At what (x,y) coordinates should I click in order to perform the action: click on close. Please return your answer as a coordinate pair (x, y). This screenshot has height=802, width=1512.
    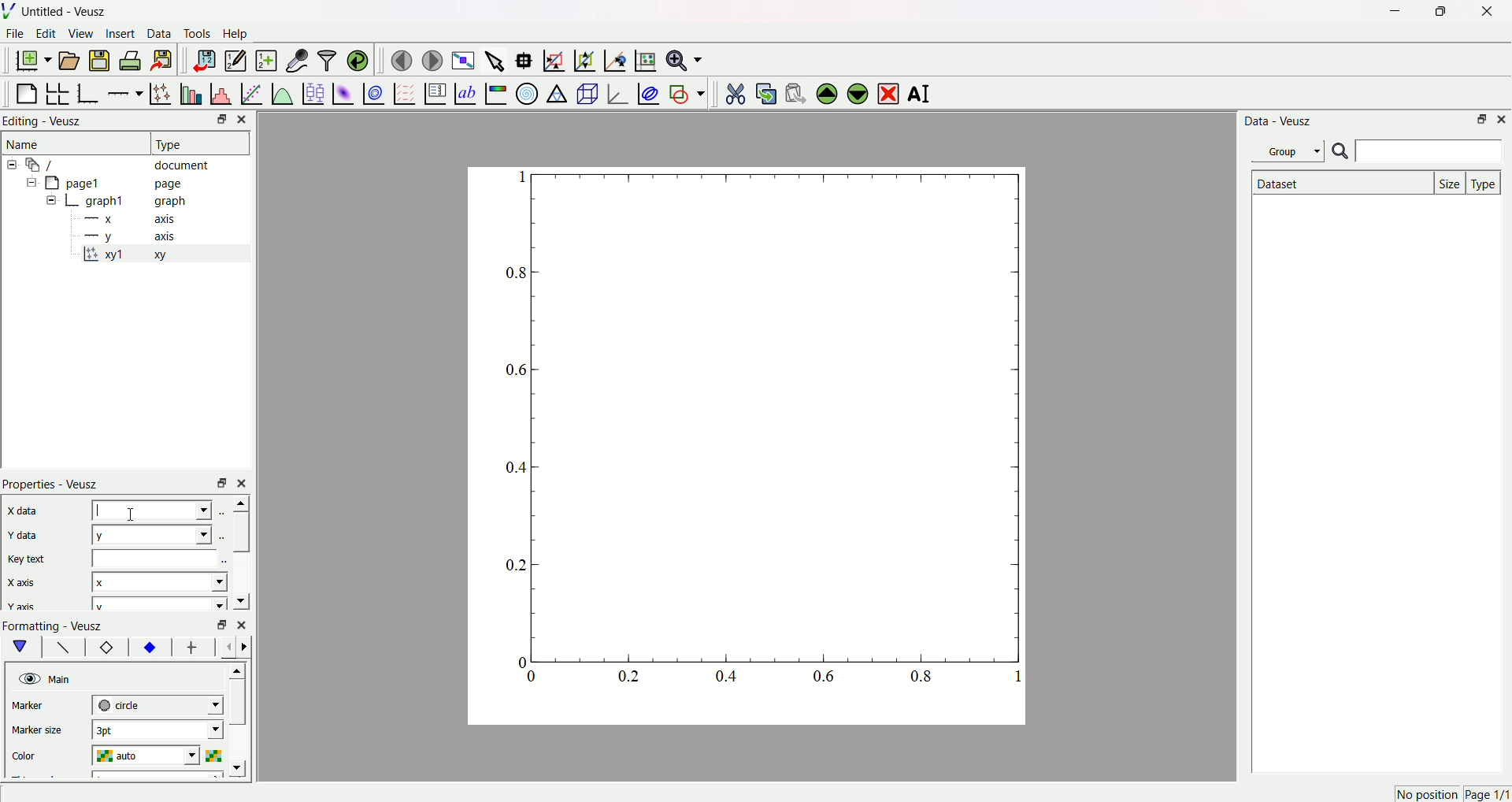
    Looking at the image, I should click on (244, 482).